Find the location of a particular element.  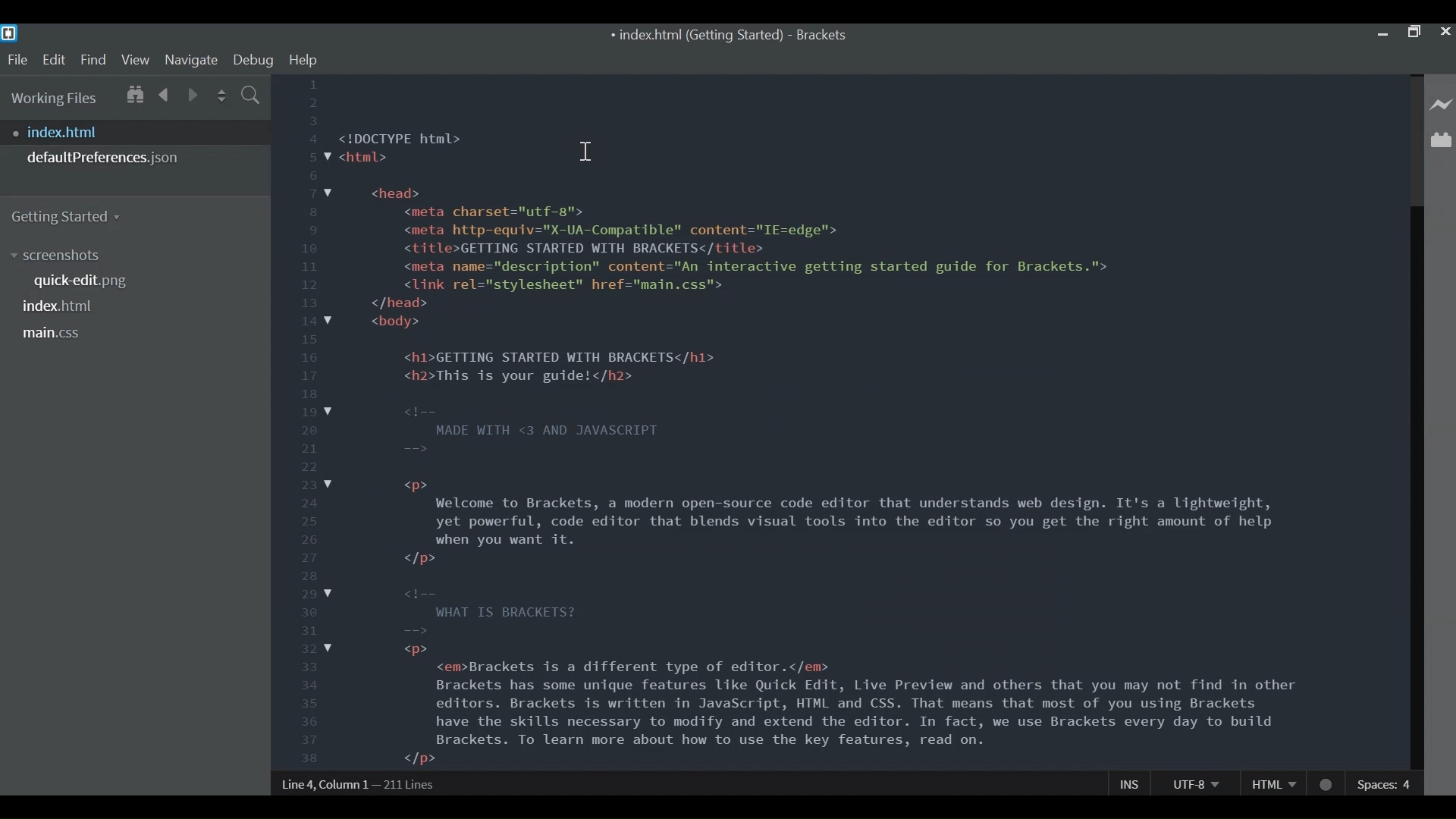

UTF-8 is located at coordinates (1195, 783).